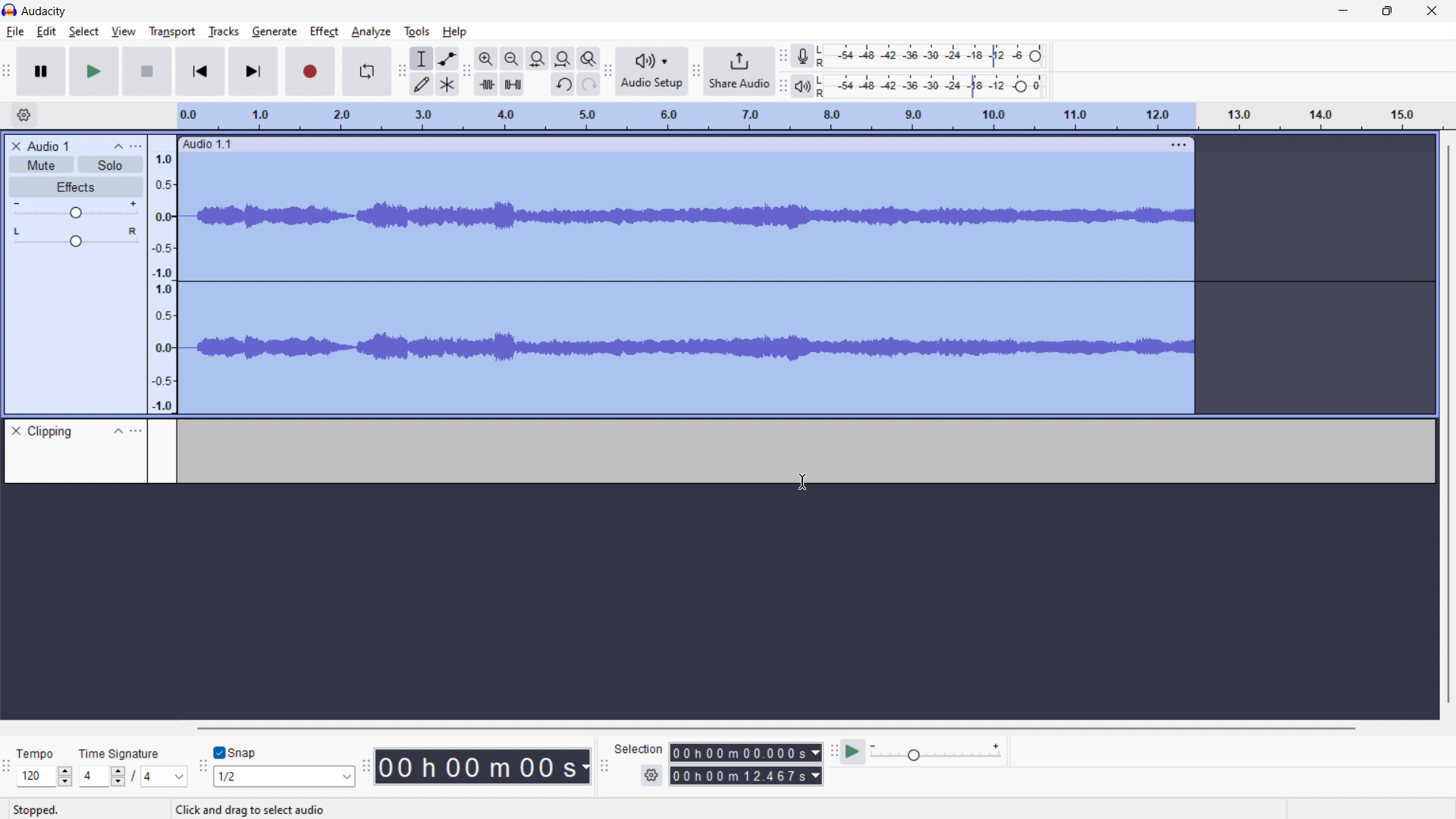 Image resolution: width=1456 pixels, height=819 pixels. I want to click on selection tool, so click(422, 58).